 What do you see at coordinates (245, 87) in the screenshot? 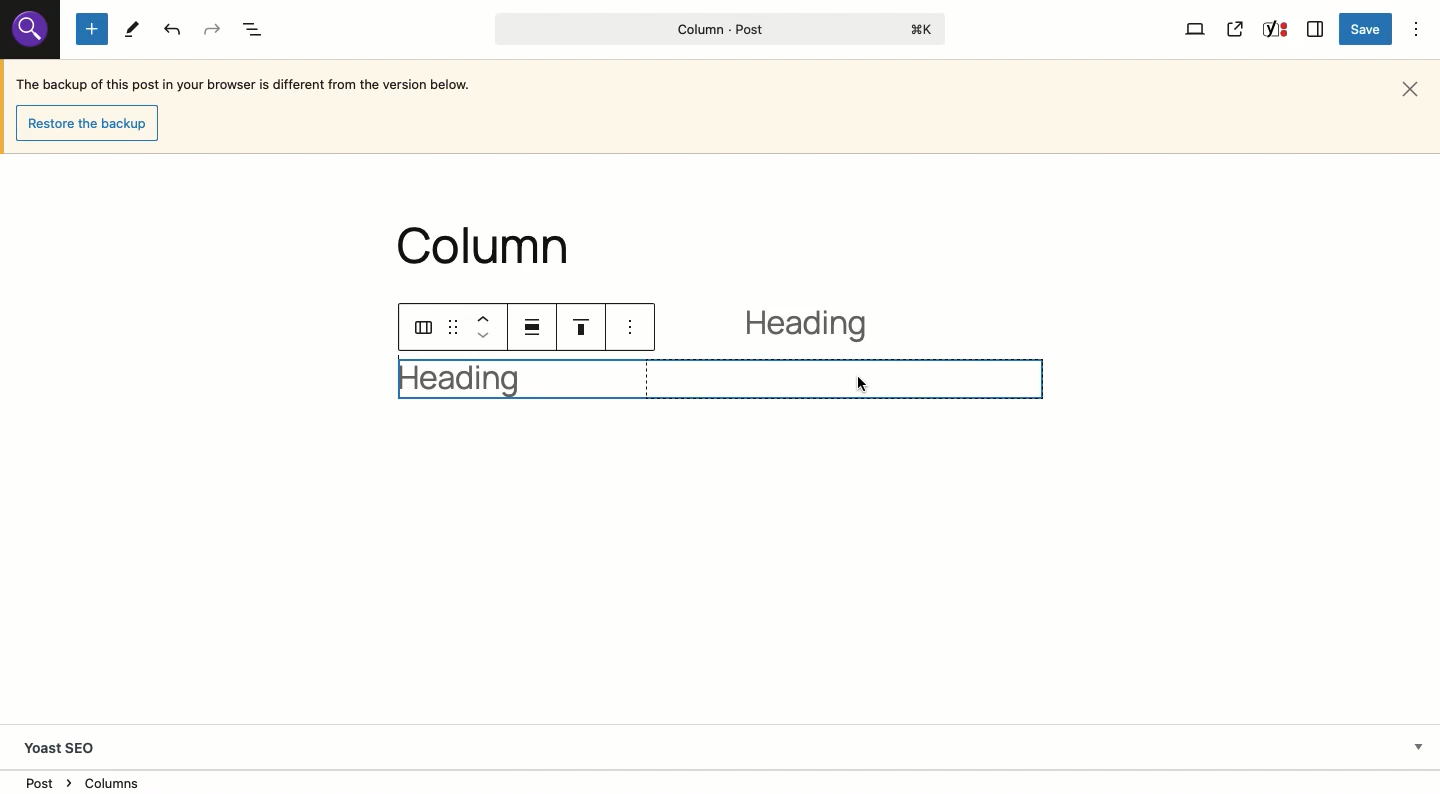
I see `The backup of this post in your browser is different from the version below.` at bounding box center [245, 87].